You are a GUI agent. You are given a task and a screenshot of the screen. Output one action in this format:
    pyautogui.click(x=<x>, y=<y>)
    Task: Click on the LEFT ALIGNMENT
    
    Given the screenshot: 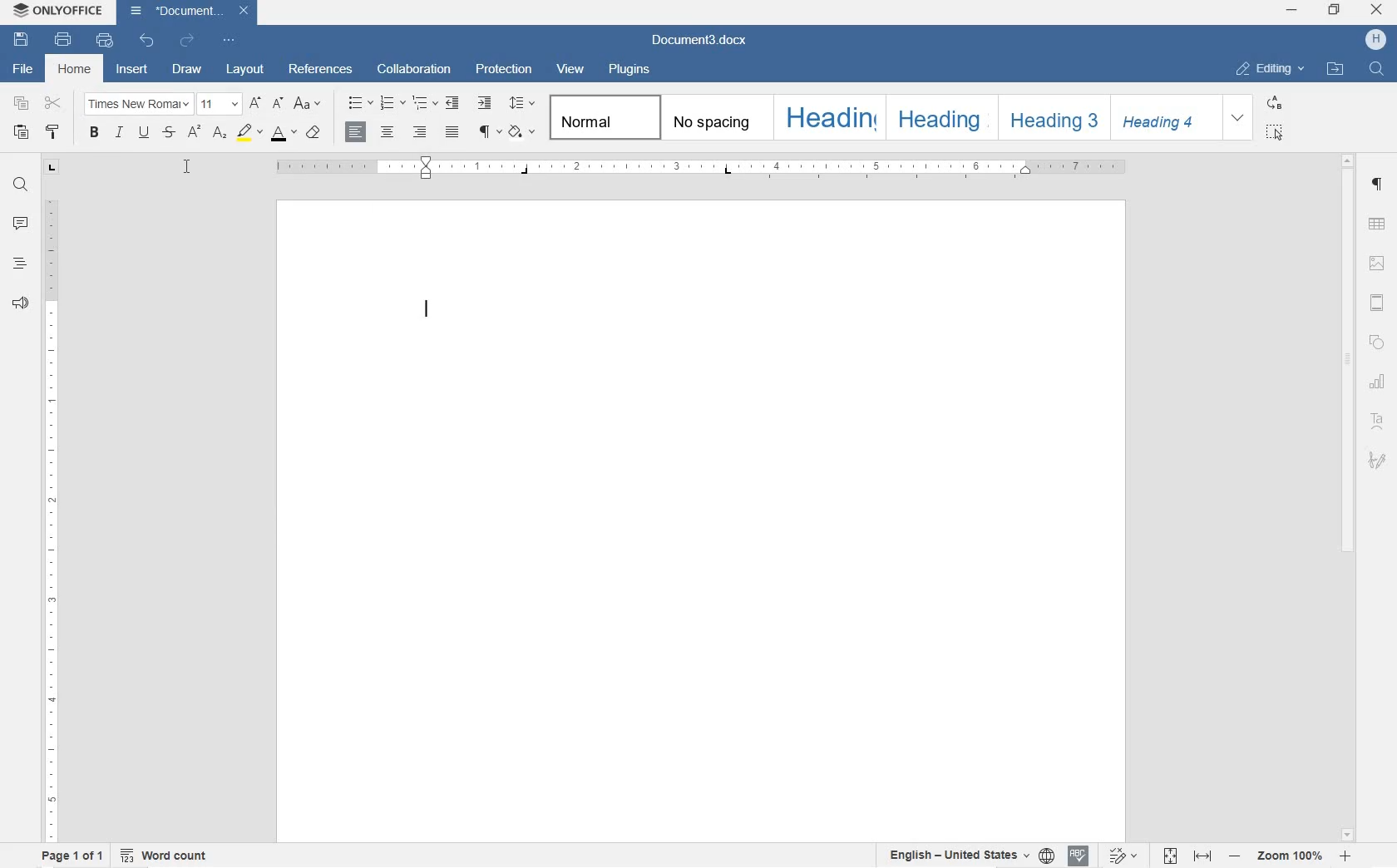 What is the action you would take?
    pyautogui.click(x=356, y=131)
    